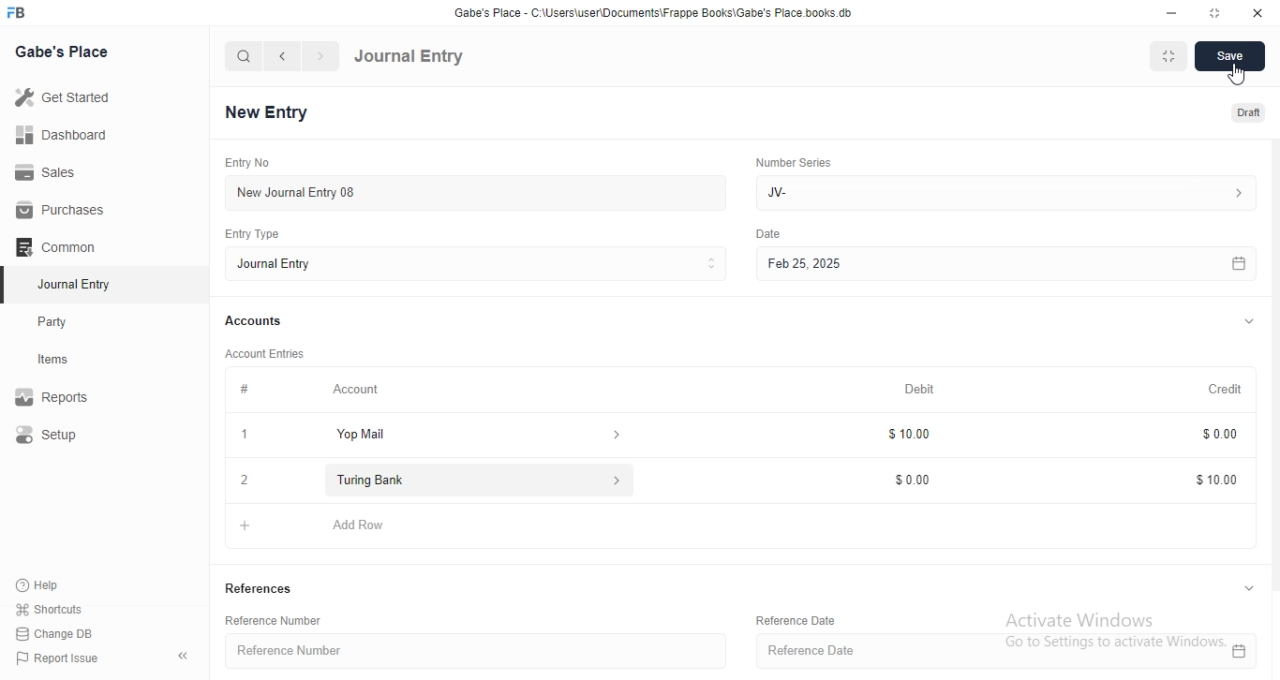  I want to click on Common, so click(60, 247).